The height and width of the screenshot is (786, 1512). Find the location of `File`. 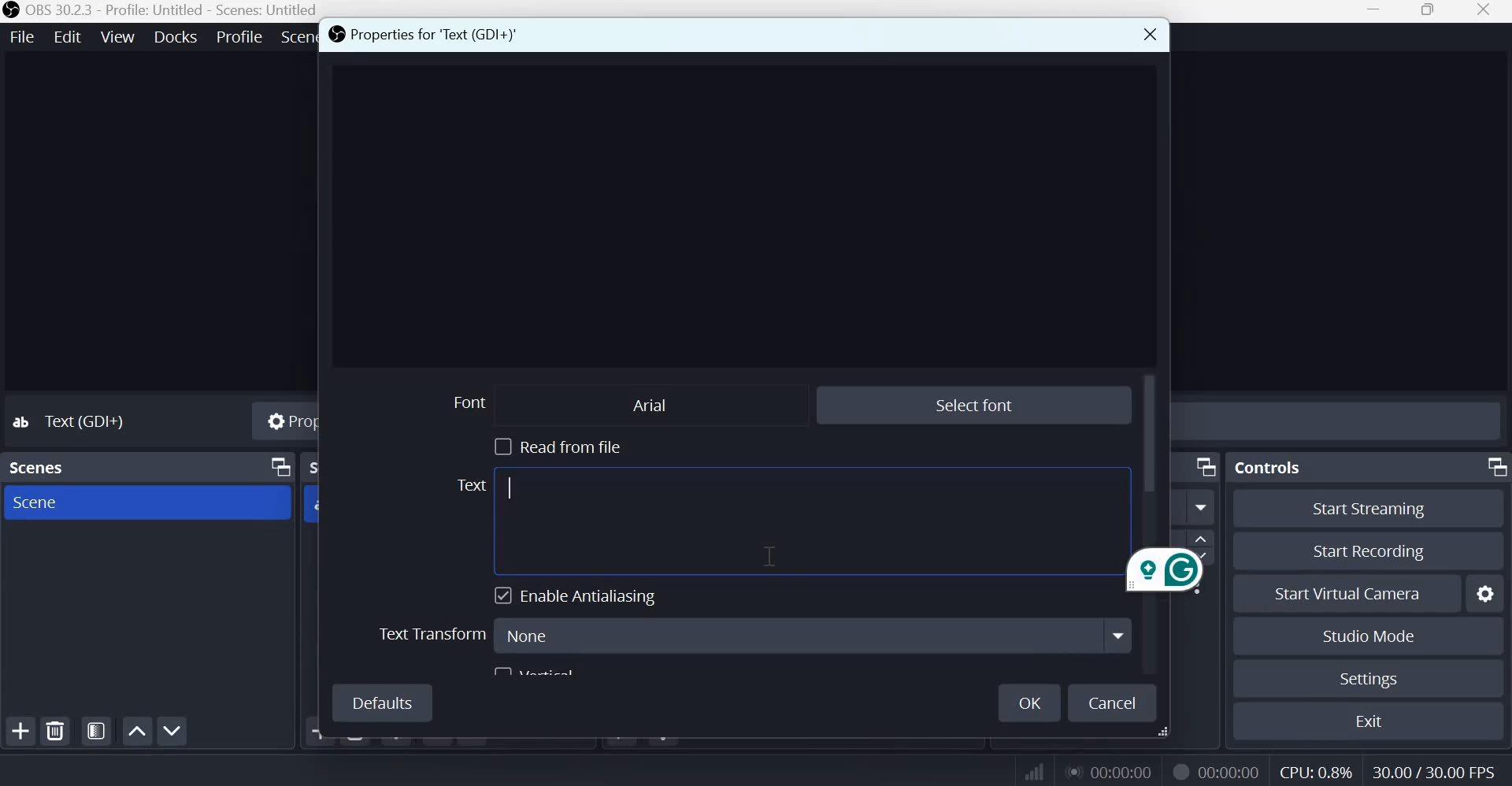

File is located at coordinates (23, 38).